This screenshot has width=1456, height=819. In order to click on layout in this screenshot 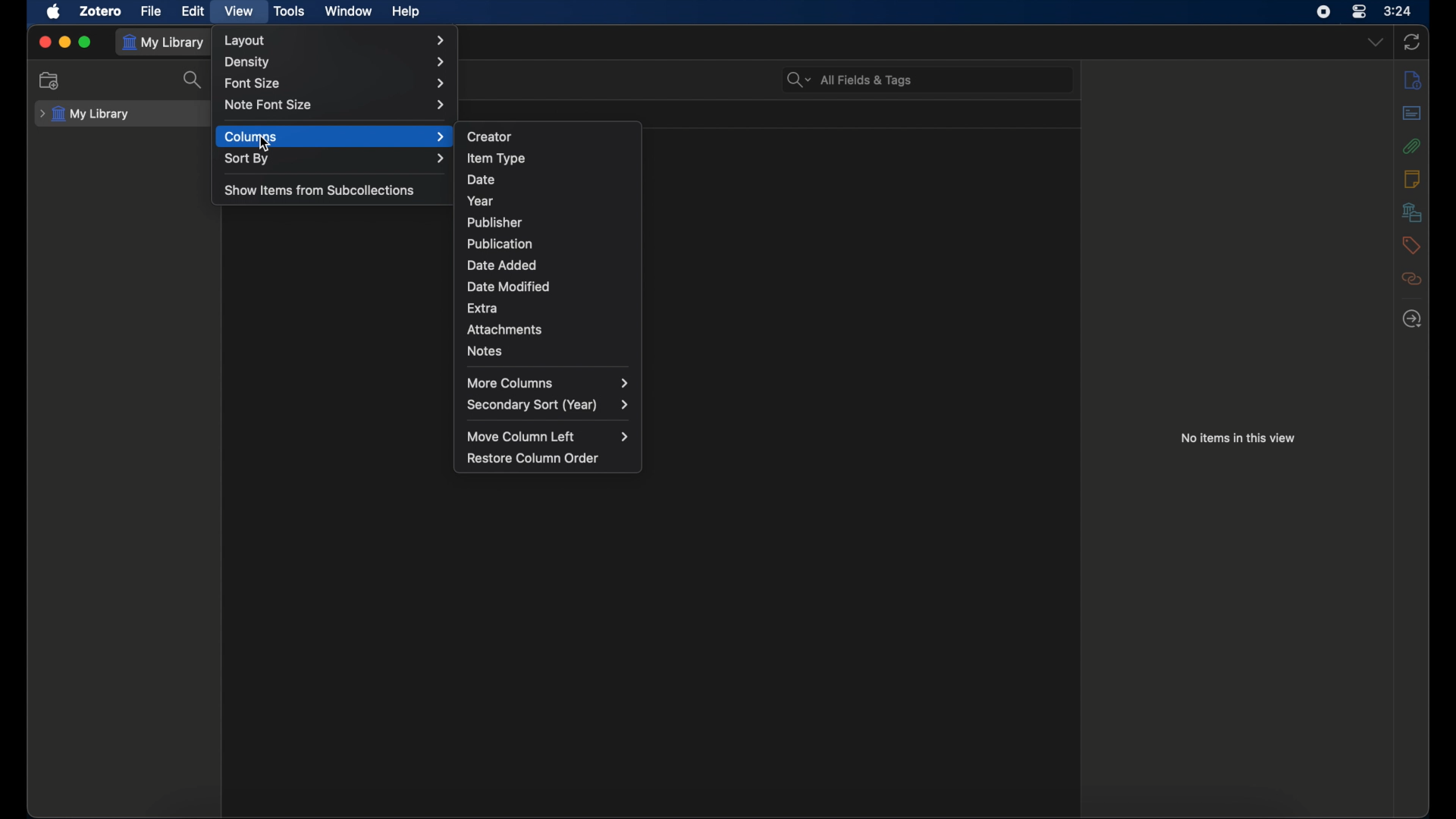, I will do `click(336, 41)`.